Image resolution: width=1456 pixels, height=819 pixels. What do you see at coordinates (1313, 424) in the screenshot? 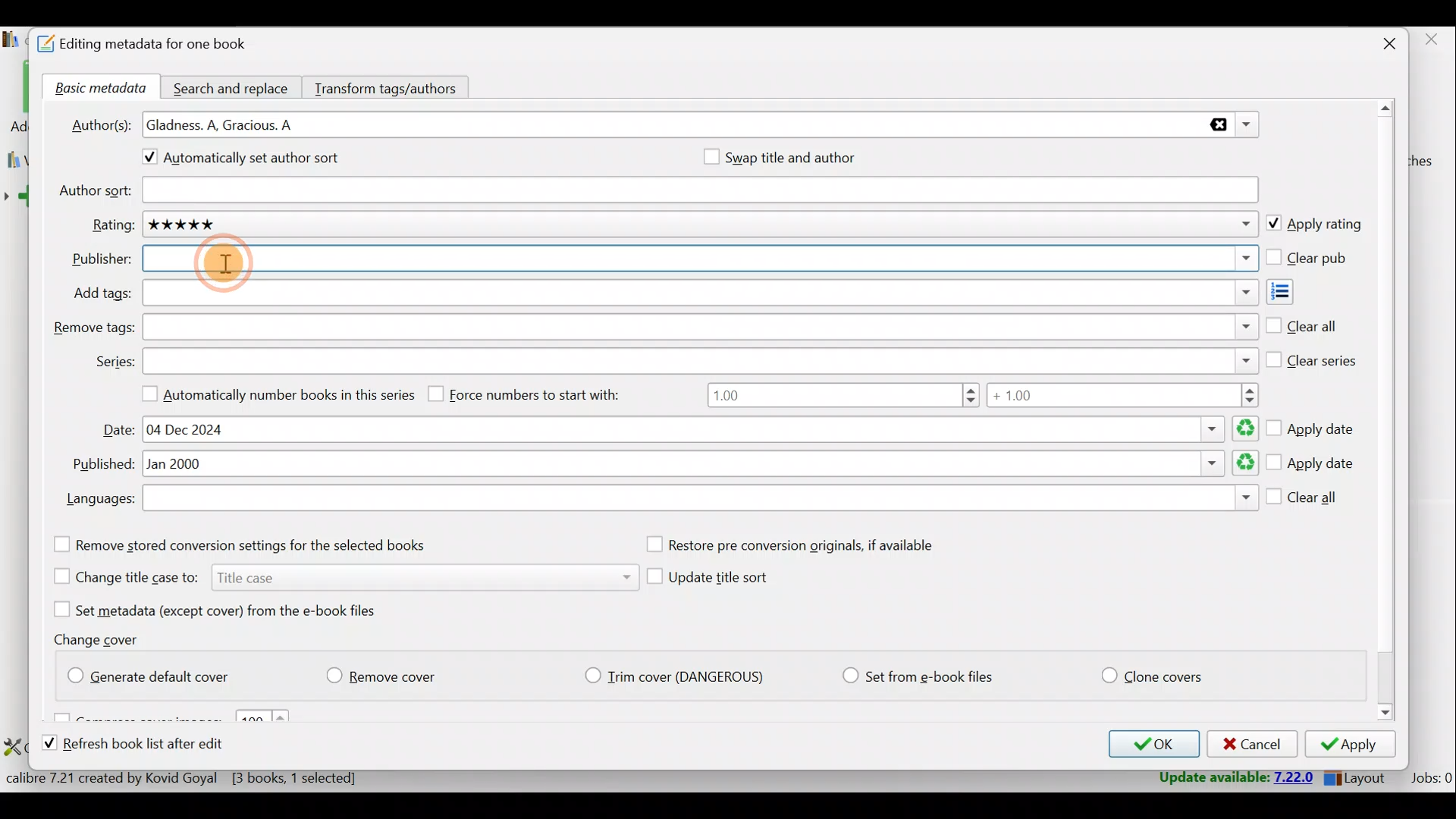
I see `Apply date` at bounding box center [1313, 424].